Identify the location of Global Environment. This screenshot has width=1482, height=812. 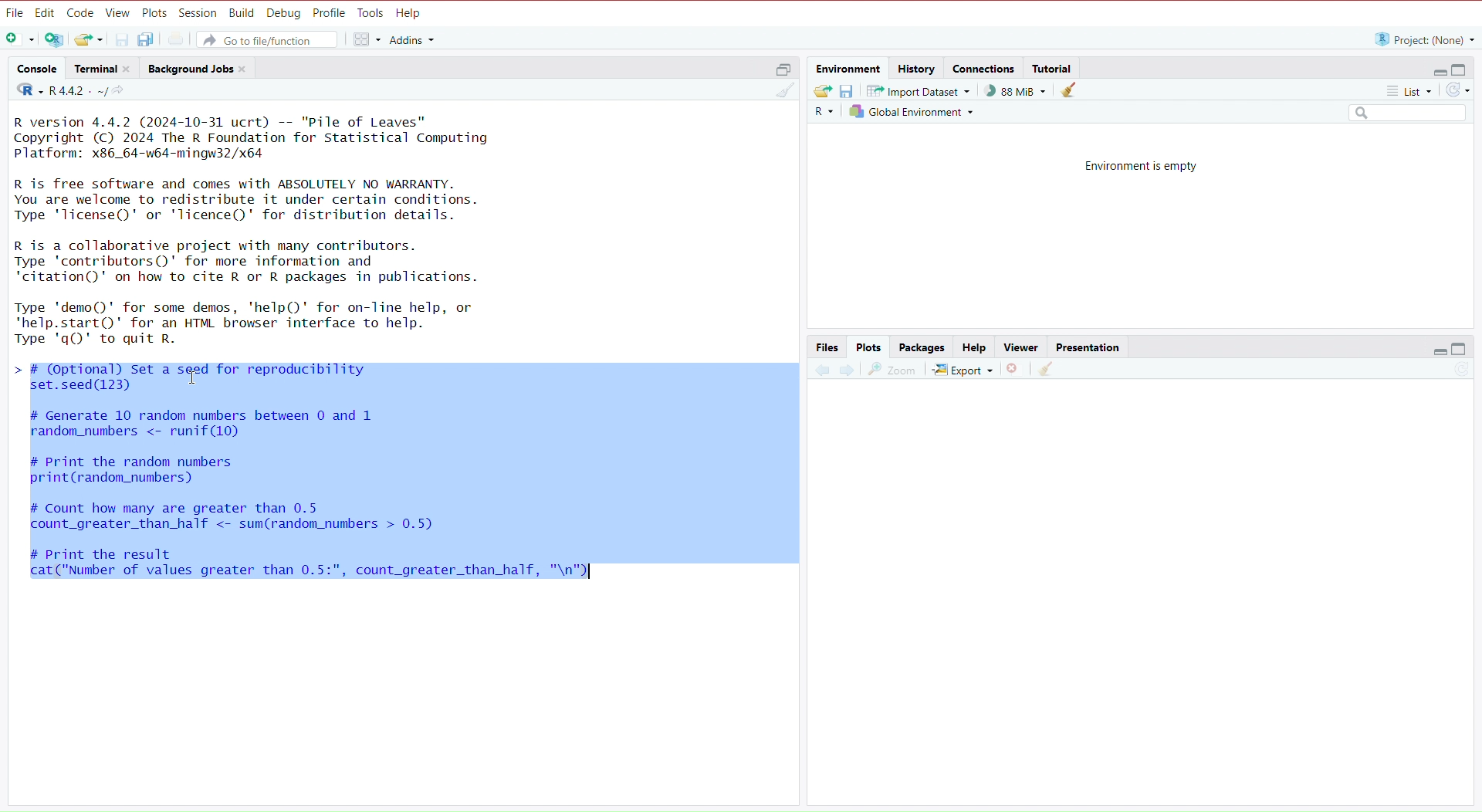
(909, 110).